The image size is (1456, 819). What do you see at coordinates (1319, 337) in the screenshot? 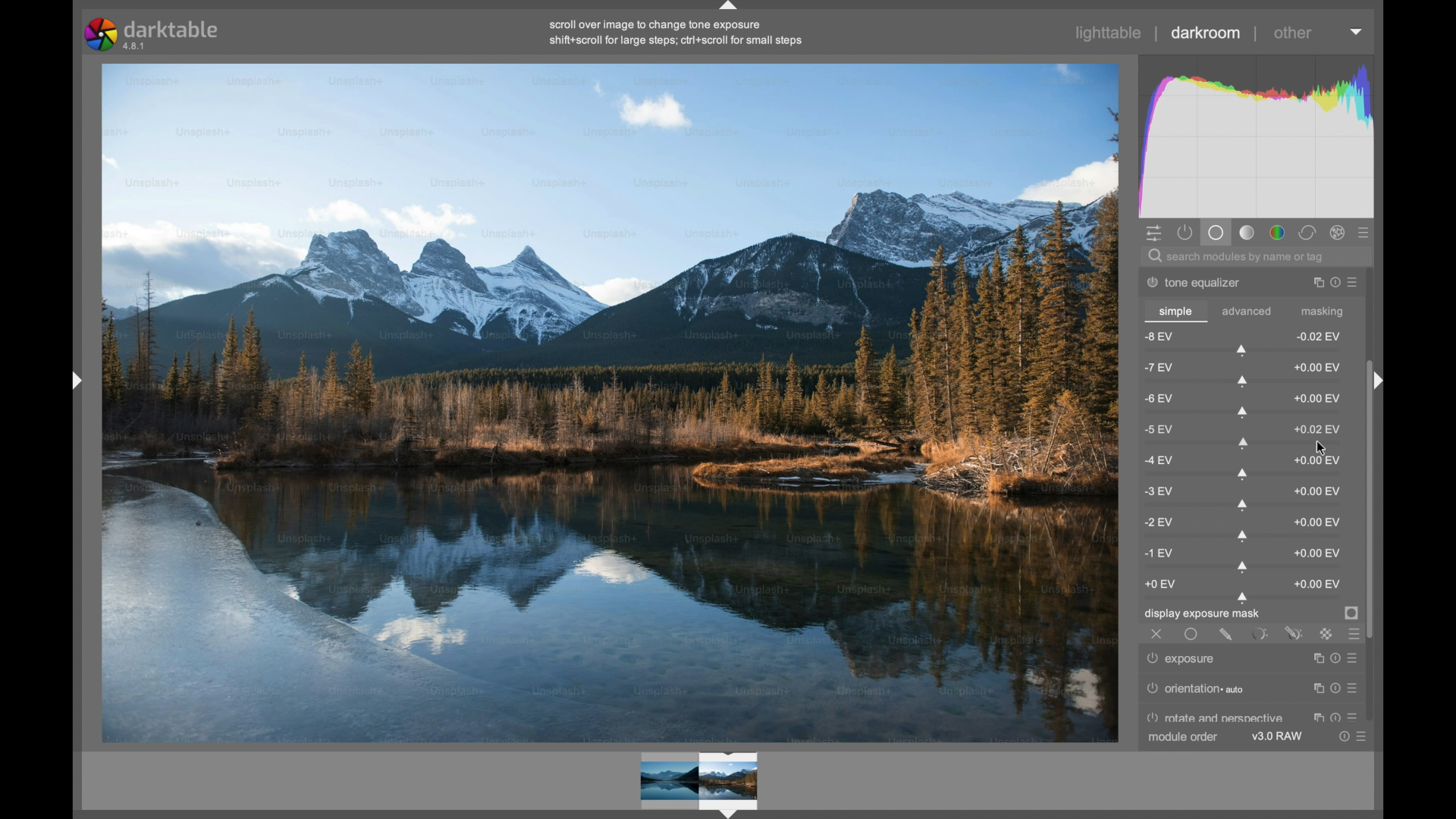
I see `0.02 ev` at bounding box center [1319, 337].